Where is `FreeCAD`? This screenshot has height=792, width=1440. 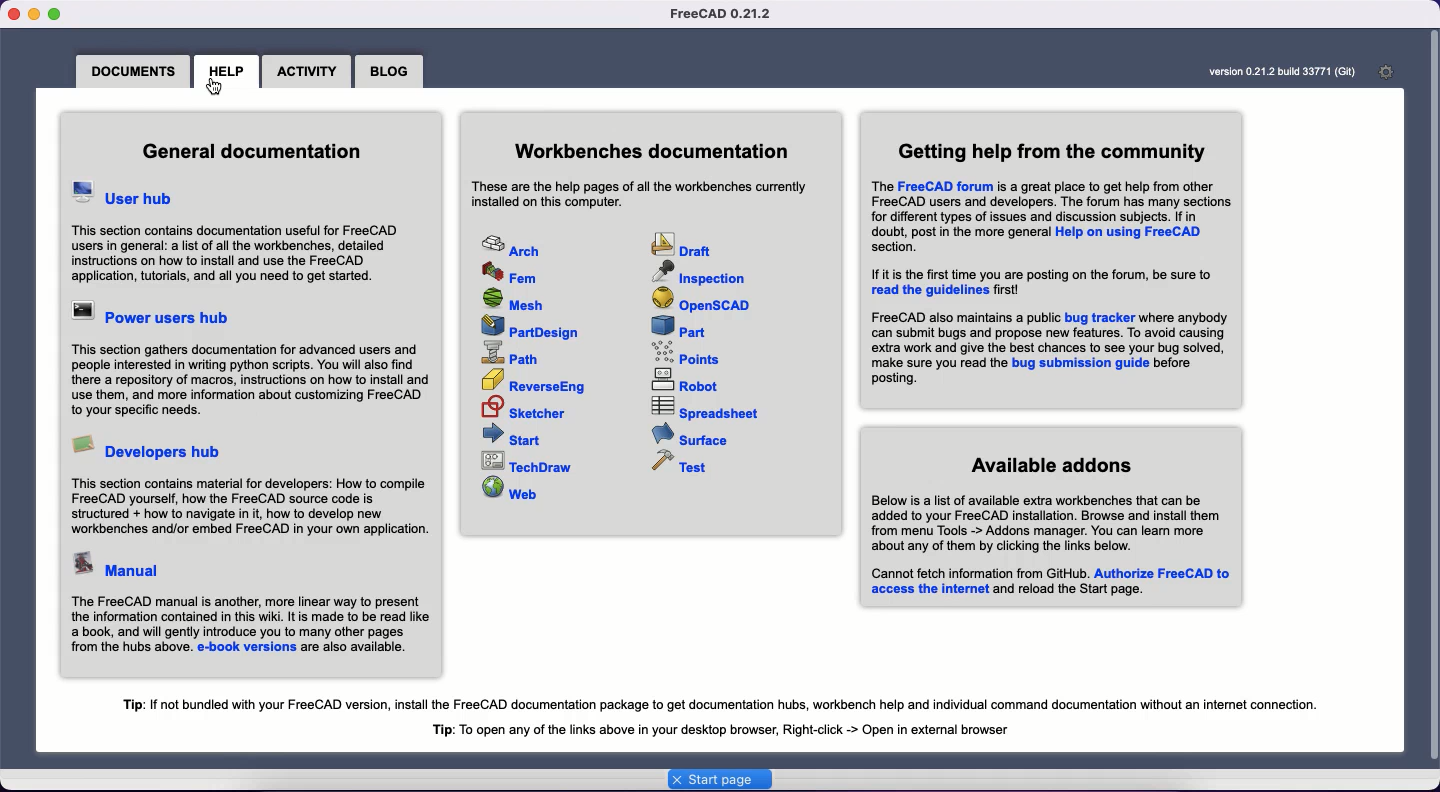
FreeCAD is located at coordinates (724, 14).